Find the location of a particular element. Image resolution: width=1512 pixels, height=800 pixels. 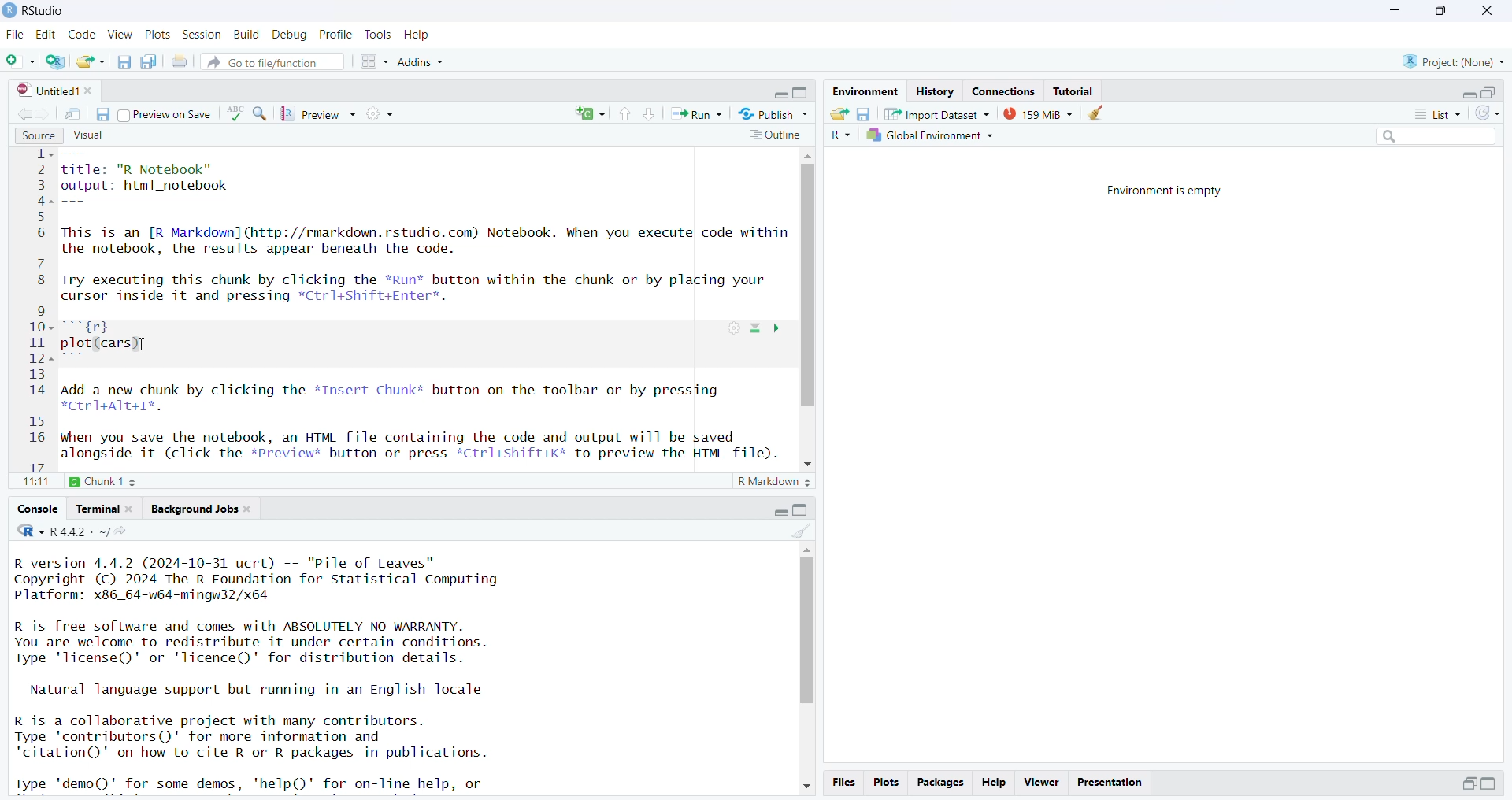

source is located at coordinates (36, 135).